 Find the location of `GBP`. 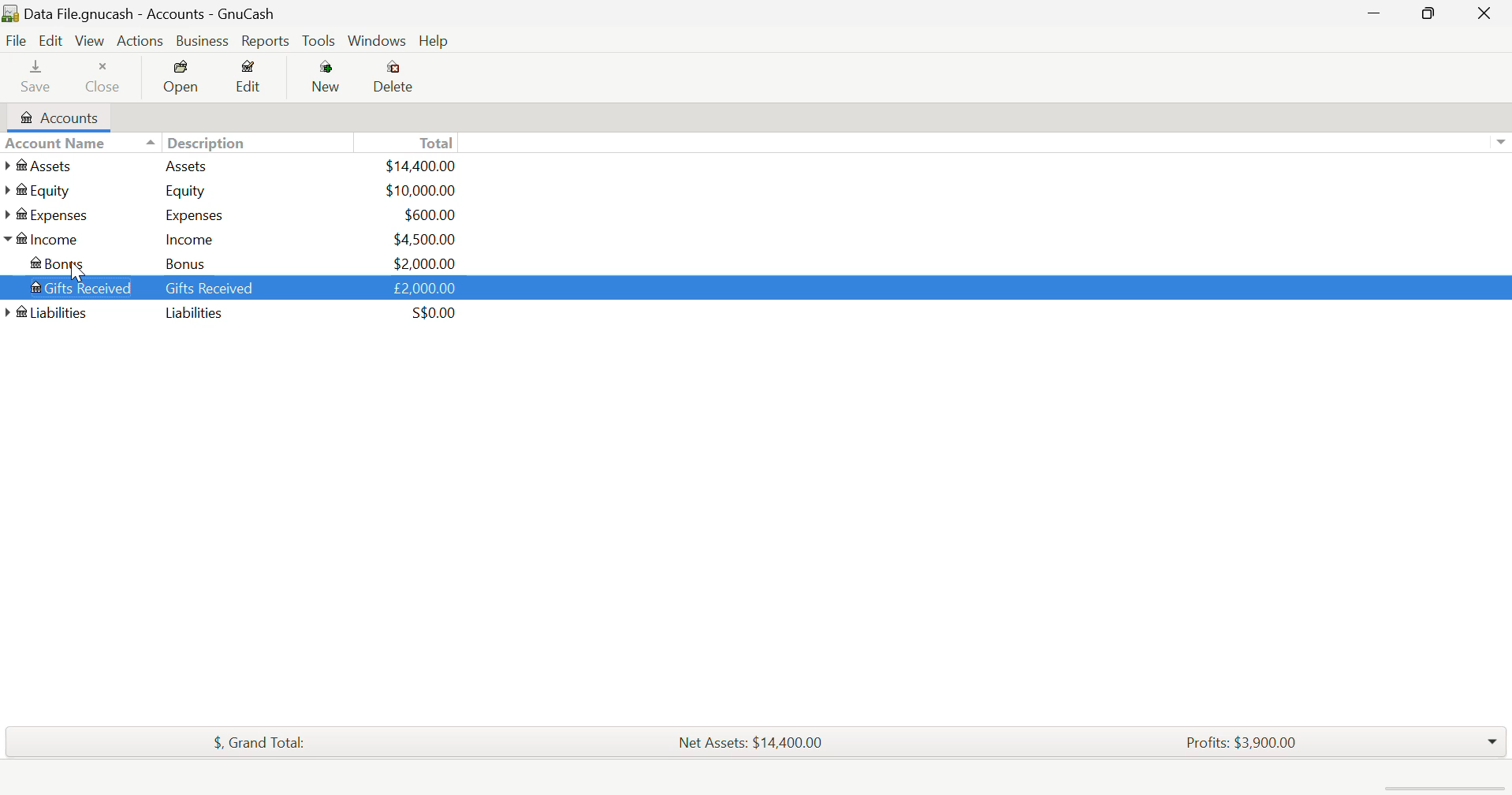

GBP is located at coordinates (423, 287).